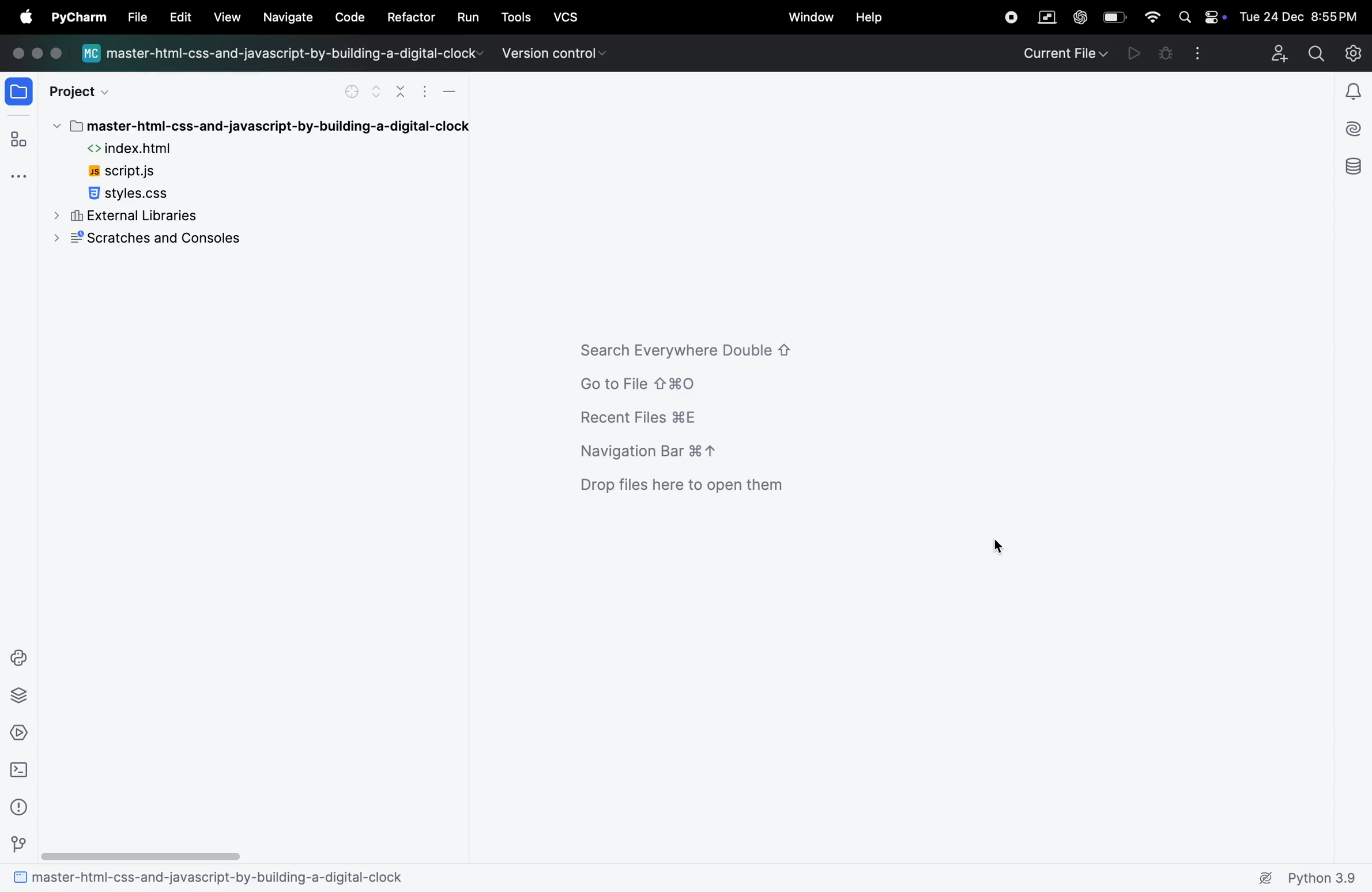 The height and width of the screenshot is (892, 1372). Describe the element at coordinates (142, 855) in the screenshot. I see `scroll` at that location.